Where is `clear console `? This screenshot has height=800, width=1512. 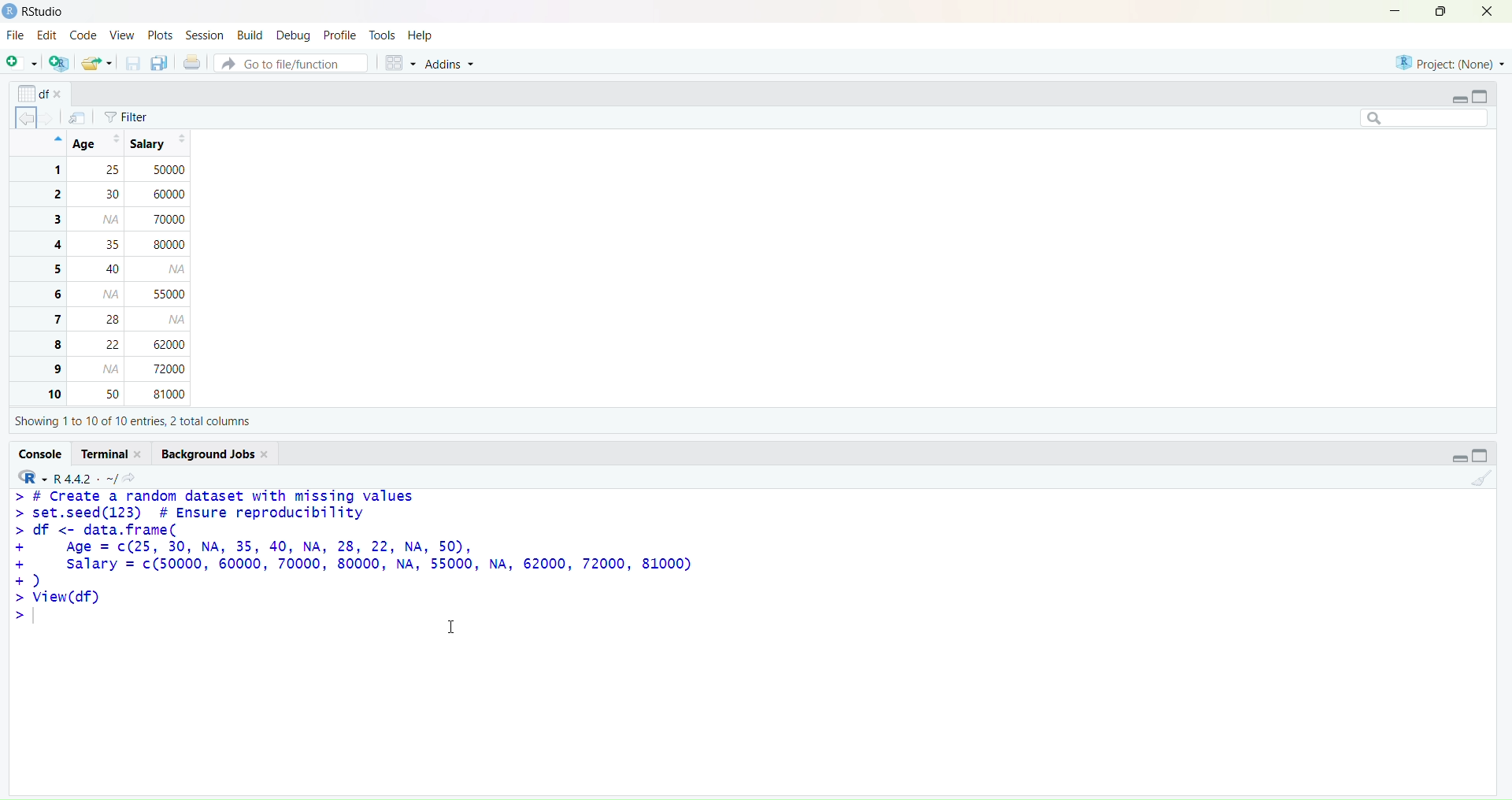 clear console  is located at coordinates (1480, 480).